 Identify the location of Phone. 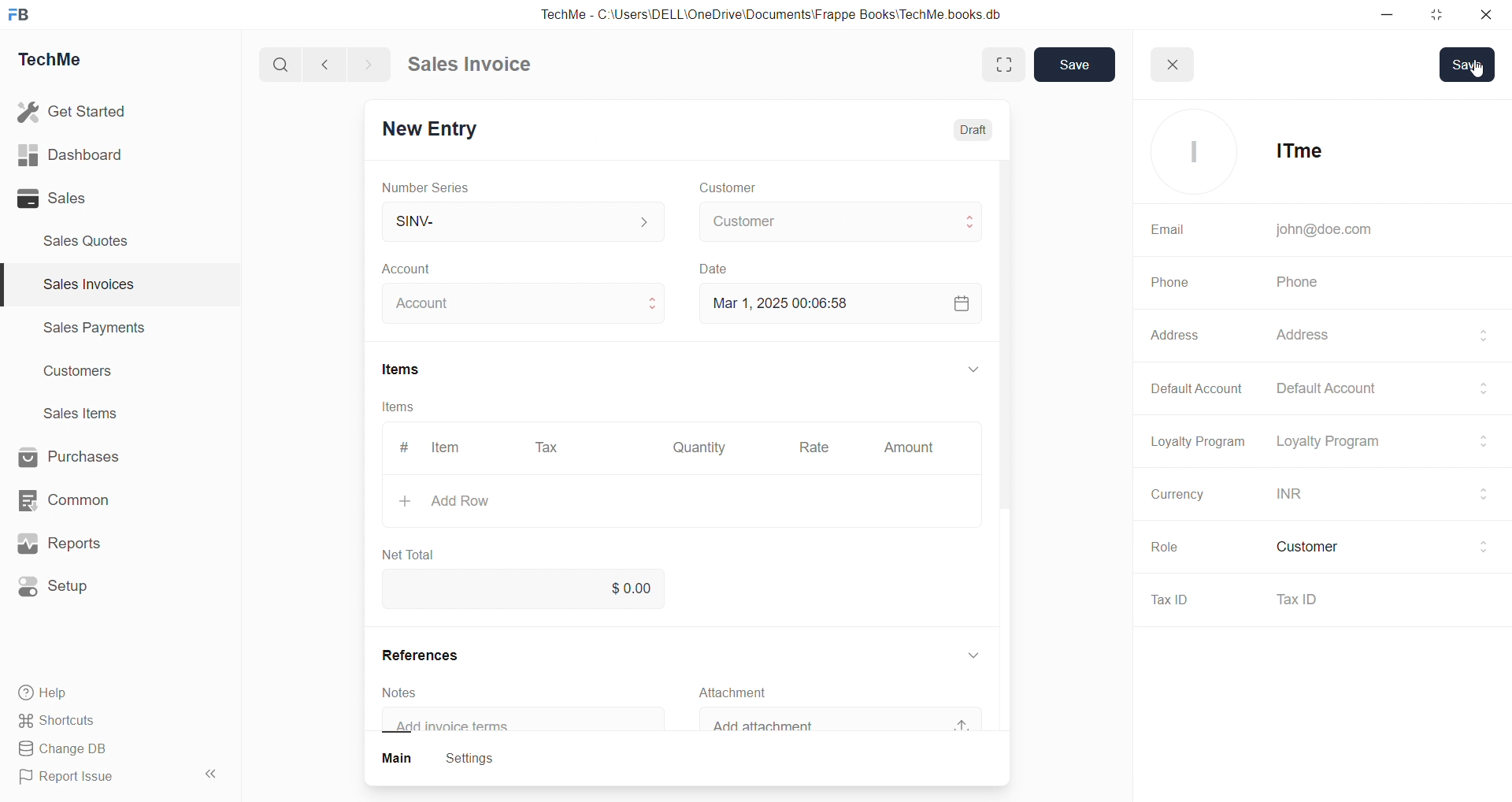
(1169, 283).